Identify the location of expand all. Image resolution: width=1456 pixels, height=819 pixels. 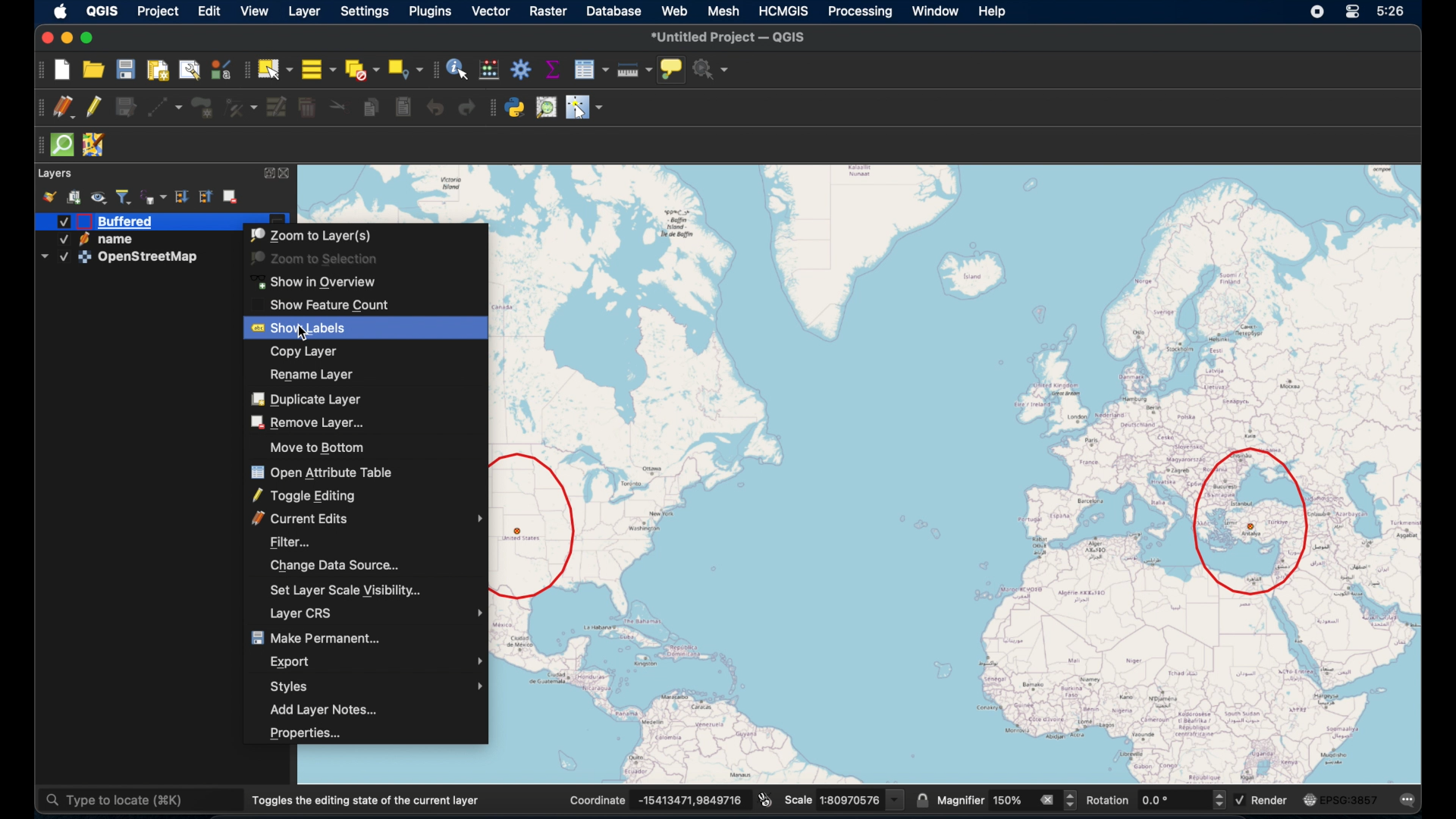
(180, 197).